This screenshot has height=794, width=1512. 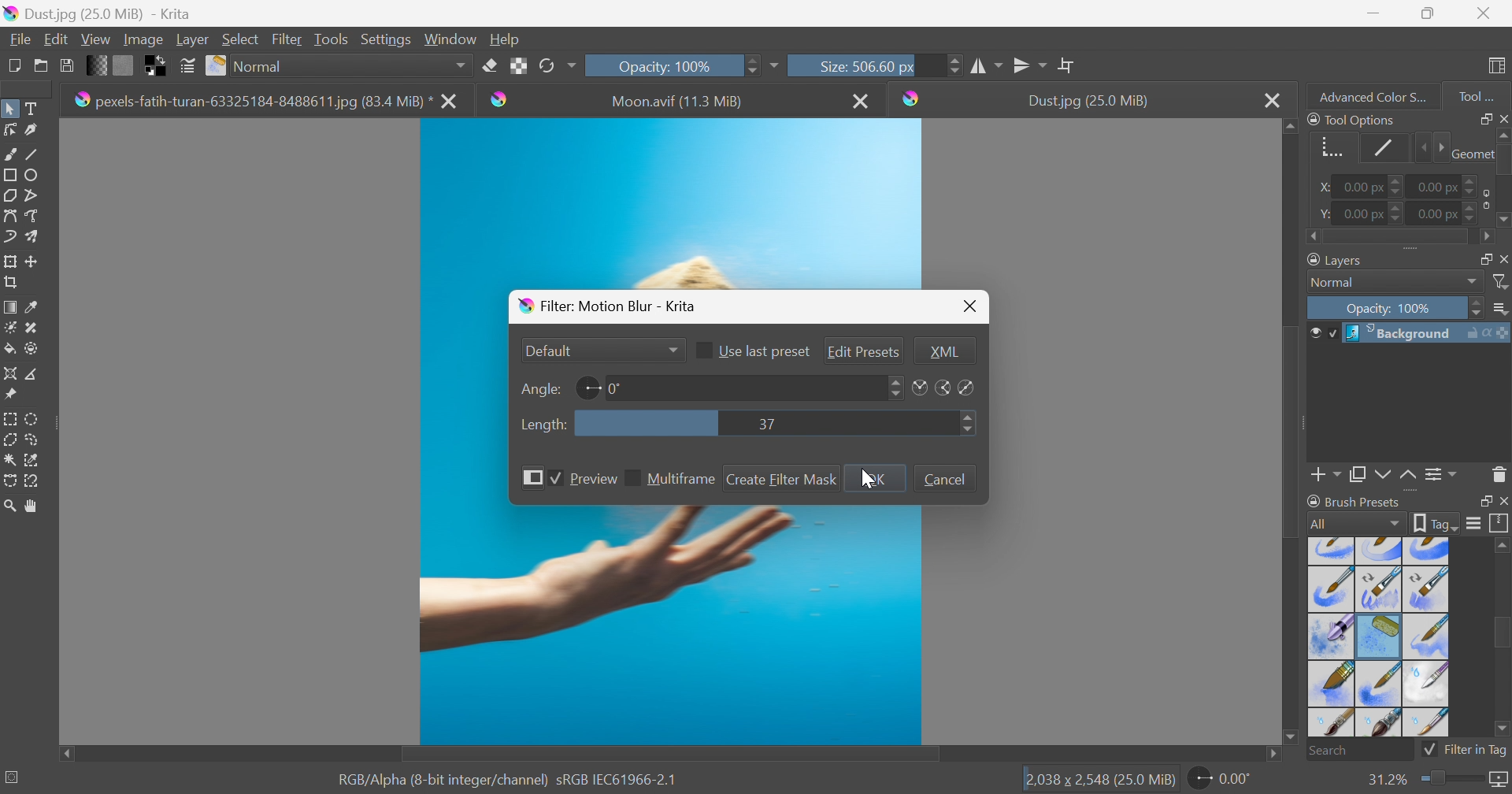 What do you see at coordinates (187, 66) in the screenshot?
I see `Edit brush preset` at bounding box center [187, 66].